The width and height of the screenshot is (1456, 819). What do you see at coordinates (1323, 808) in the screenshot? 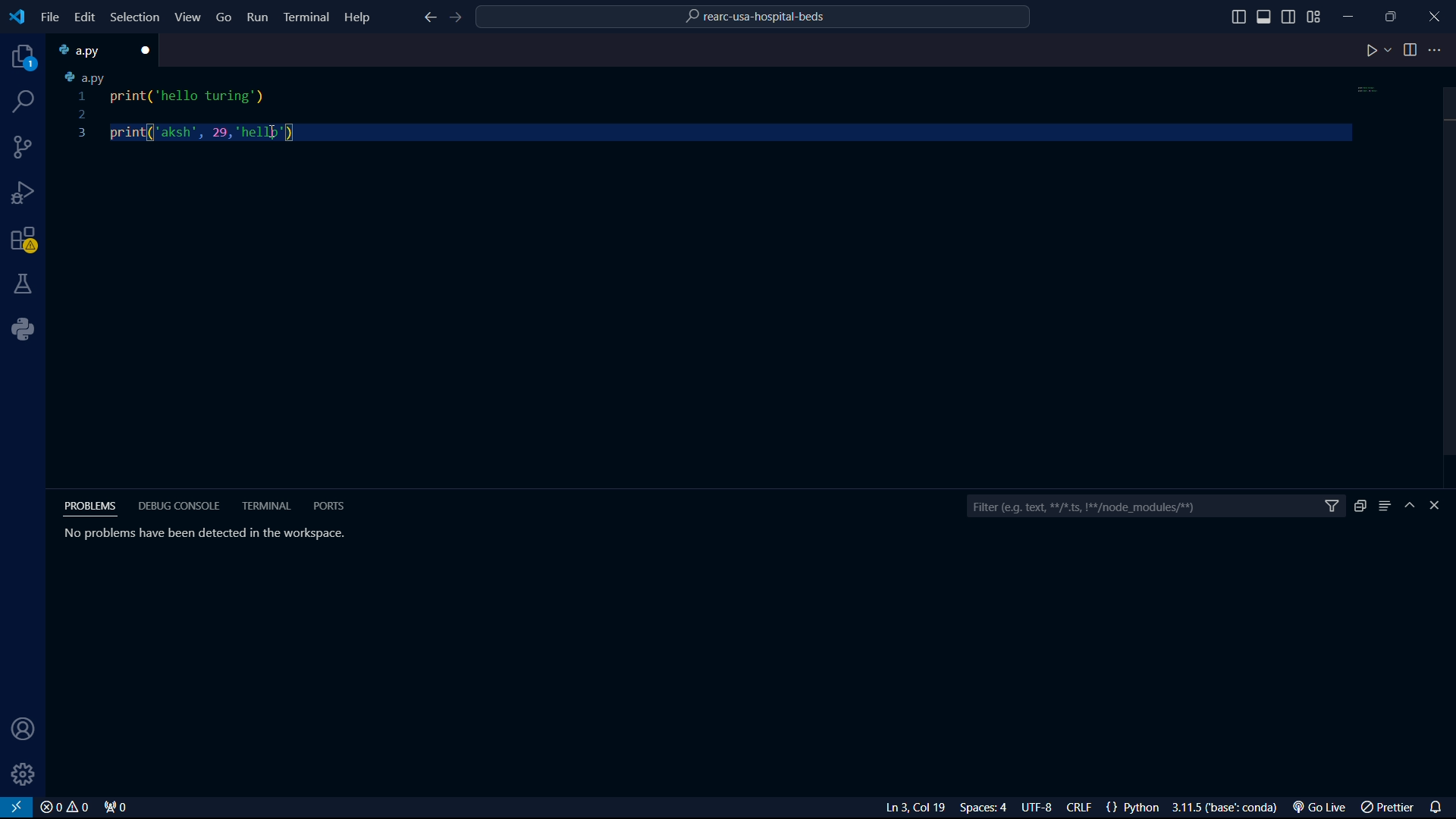
I see `Go Live` at bounding box center [1323, 808].